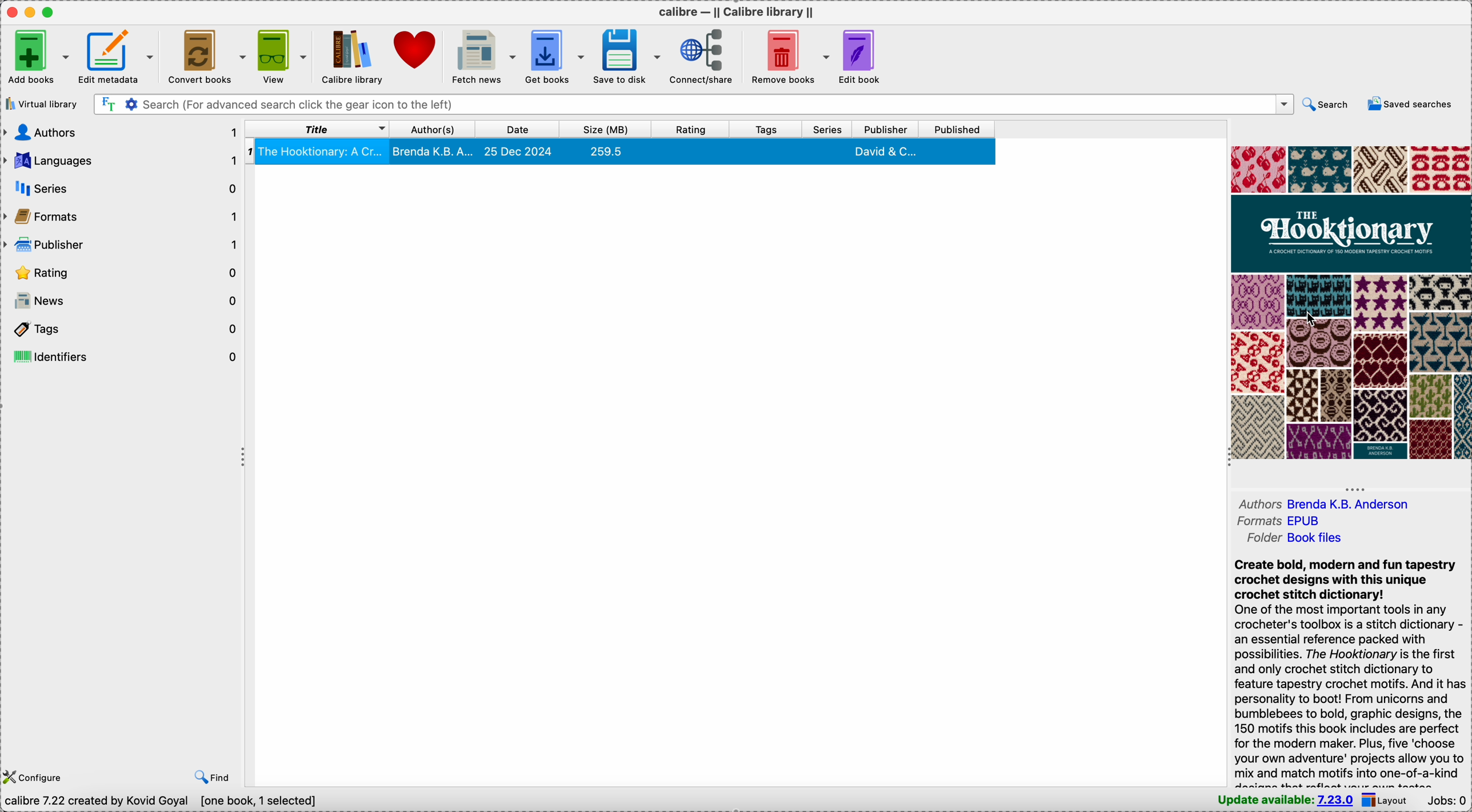 This screenshot has width=1472, height=812. I want to click on languages, so click(122, 158).